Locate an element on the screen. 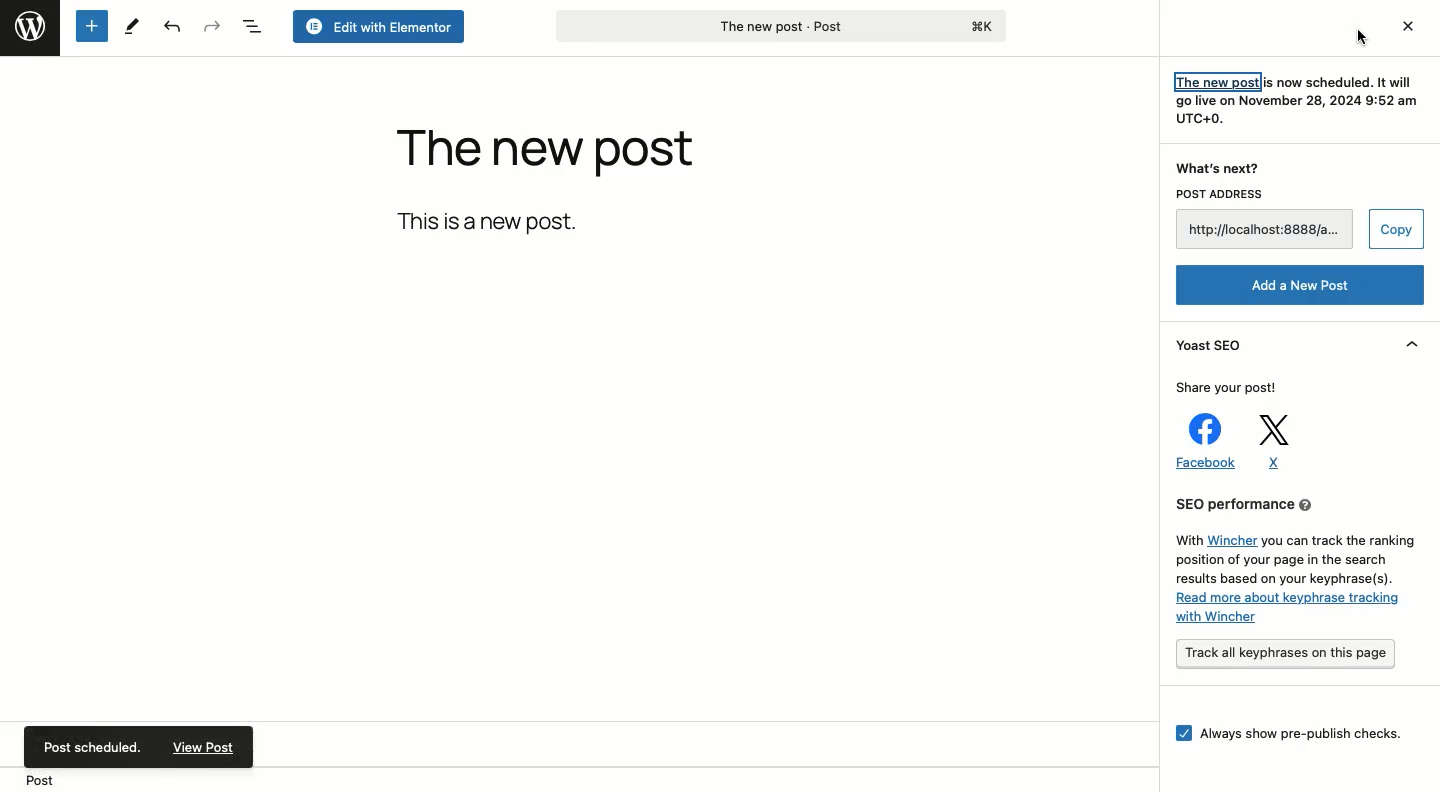 Image resolution: width=1440 pixels, height=792 pixels. Document overview is located at coordinates (255, 26).